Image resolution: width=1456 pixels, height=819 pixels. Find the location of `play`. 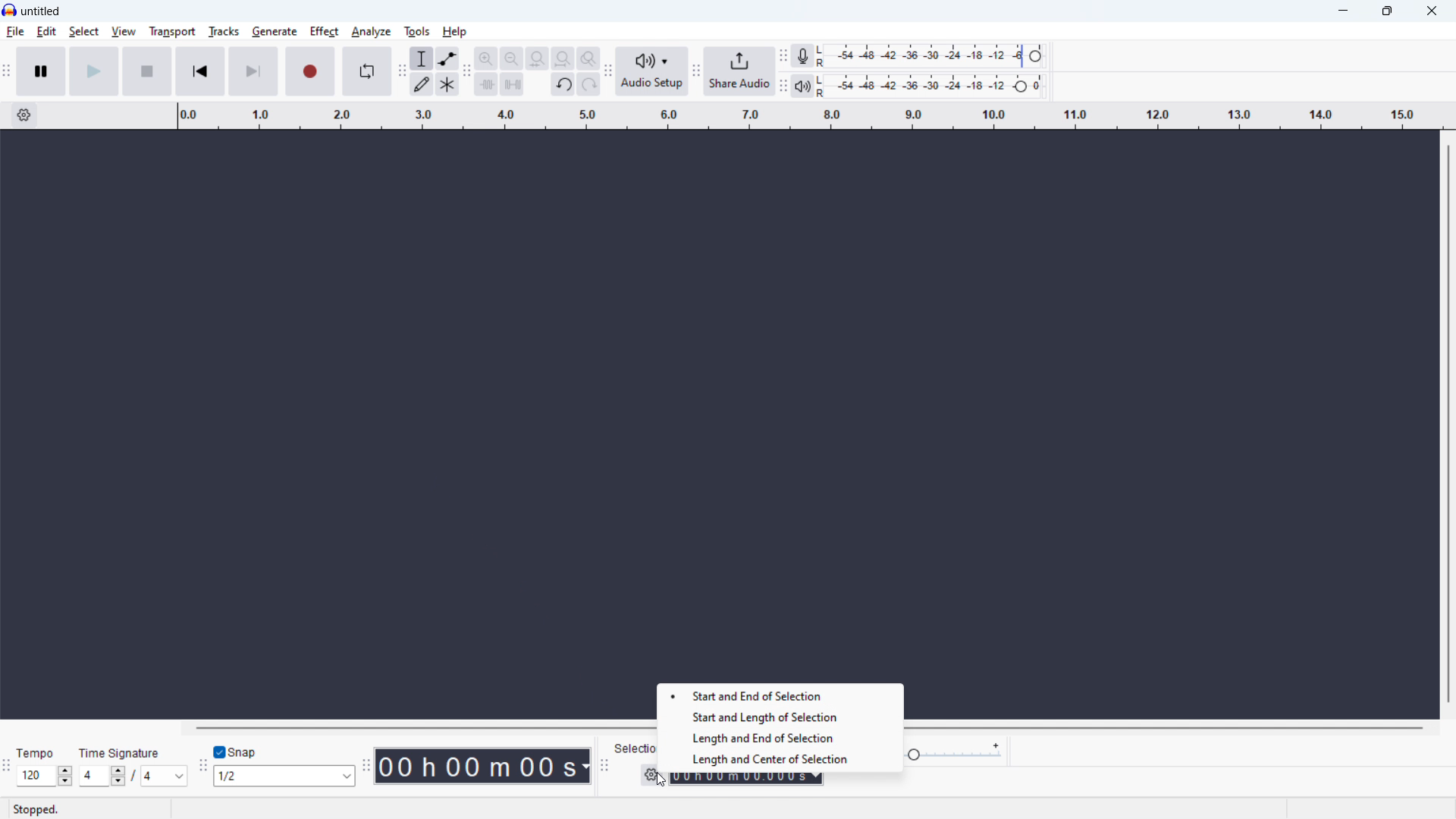

play is located at coordinates (95, 71).